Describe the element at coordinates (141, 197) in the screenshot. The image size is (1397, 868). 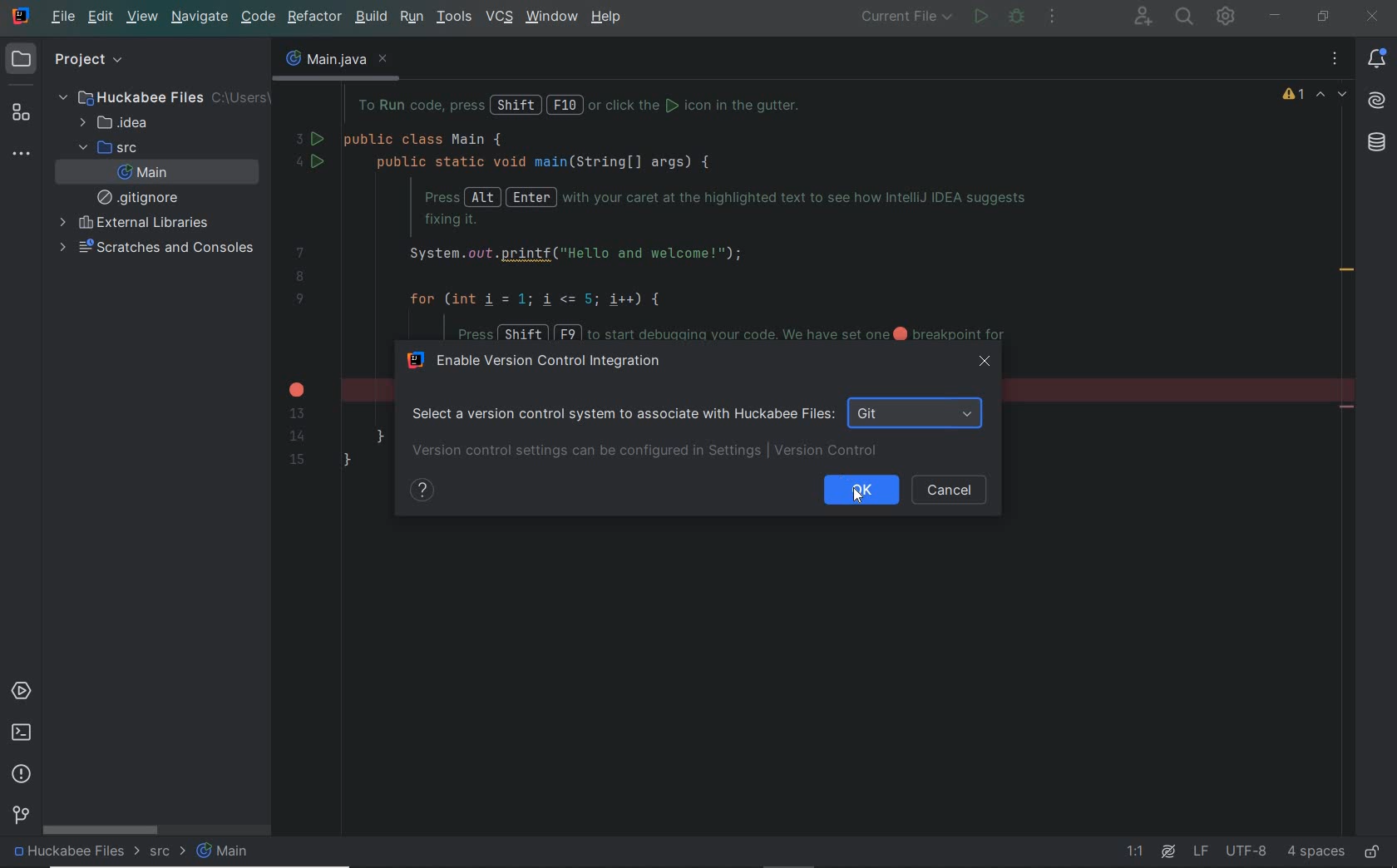
I see `gitignore` at that location.